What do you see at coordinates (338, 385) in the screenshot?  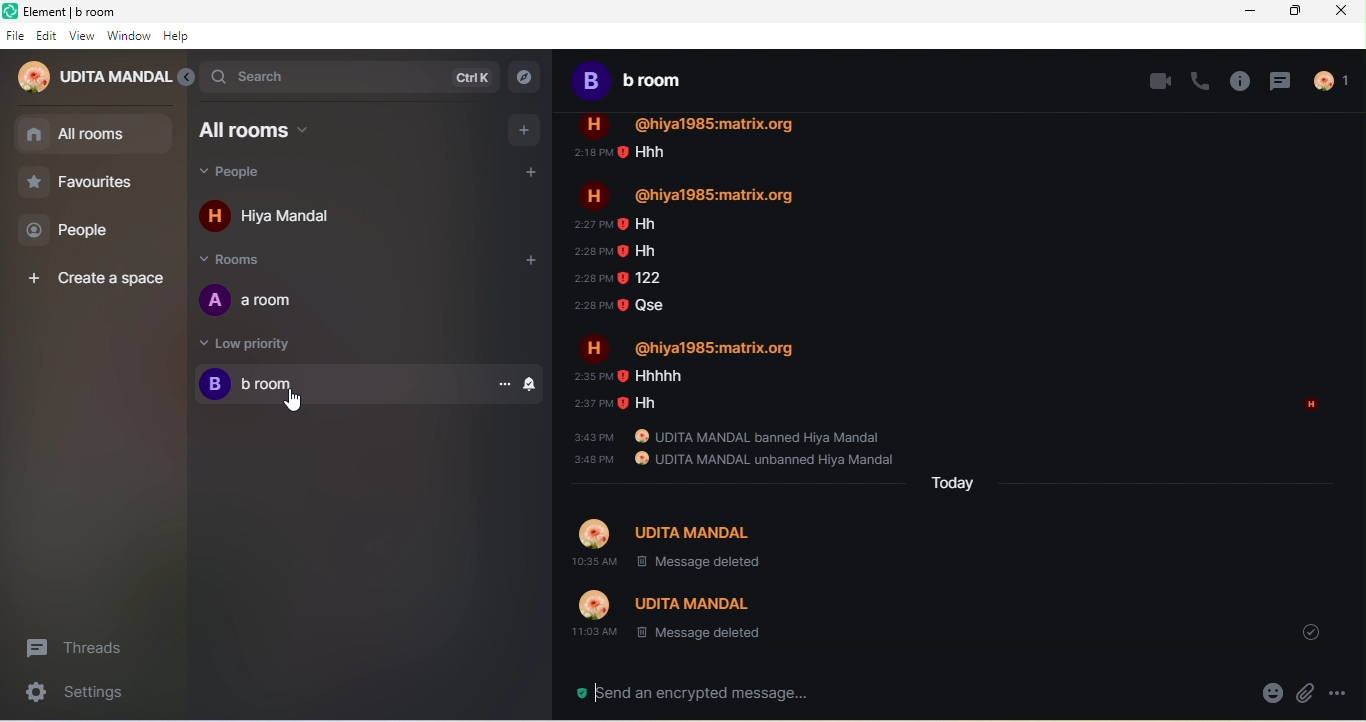 I see `b room` at bounding box center [338, 385].